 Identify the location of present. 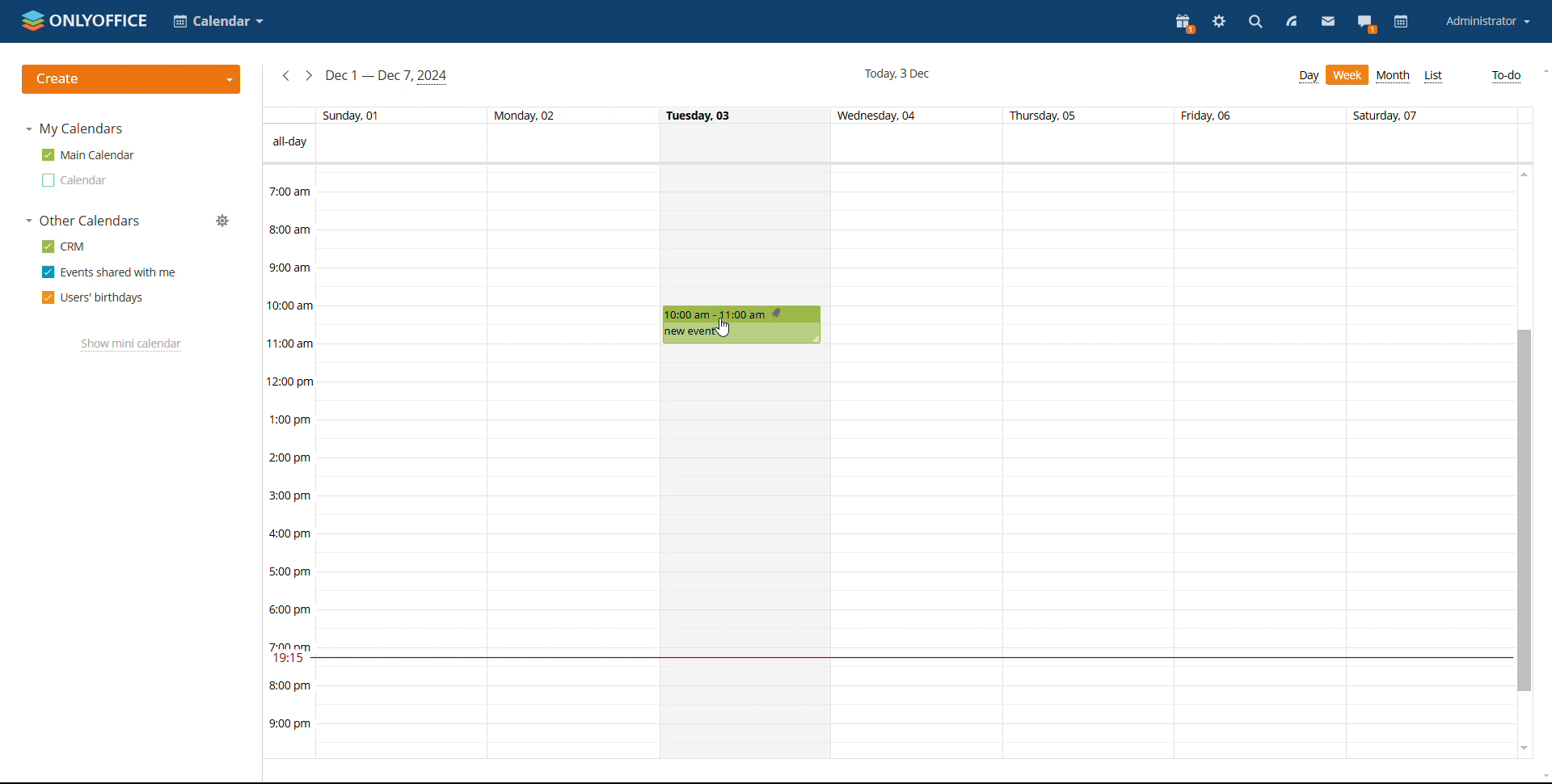
(1185, 23).